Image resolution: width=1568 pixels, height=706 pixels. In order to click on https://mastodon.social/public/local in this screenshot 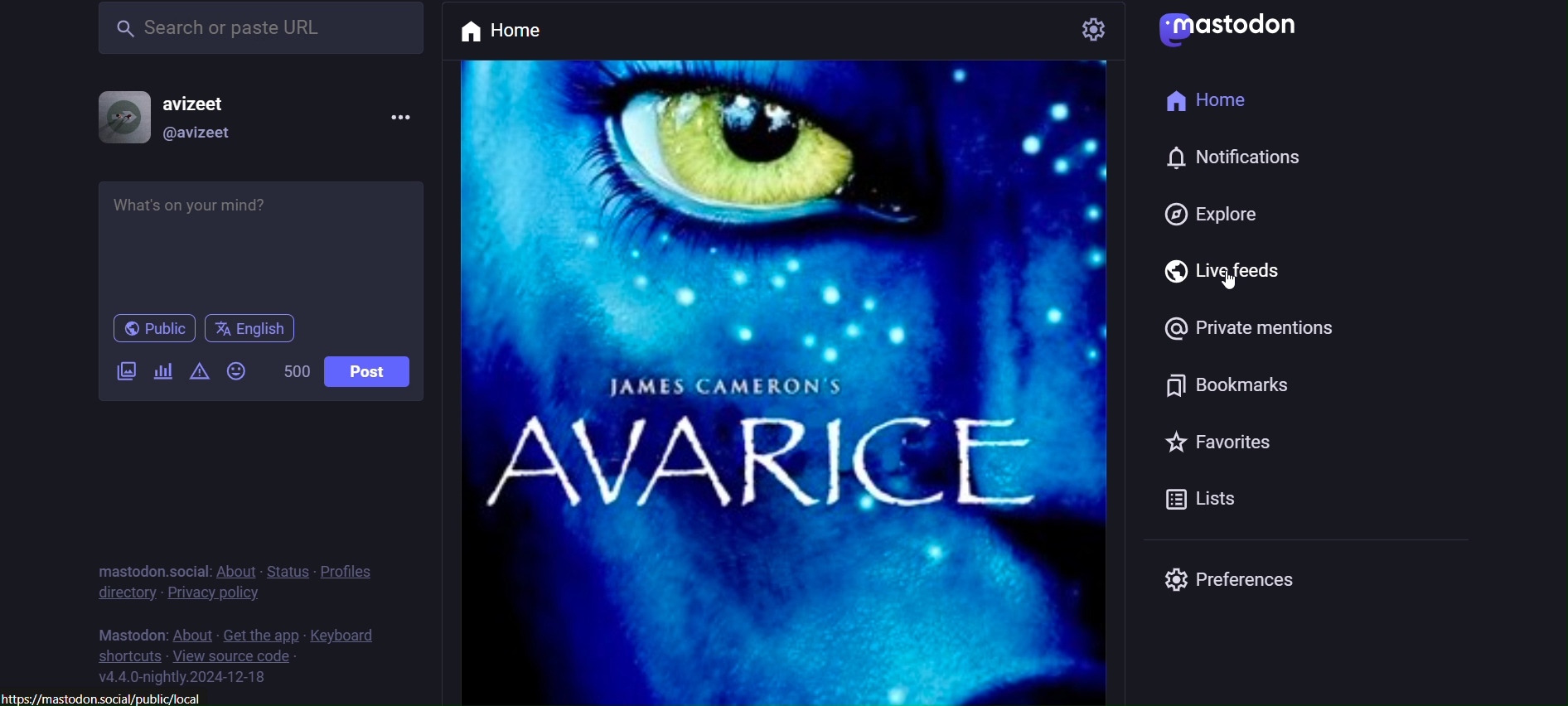, I will do `click(104, 696)`.